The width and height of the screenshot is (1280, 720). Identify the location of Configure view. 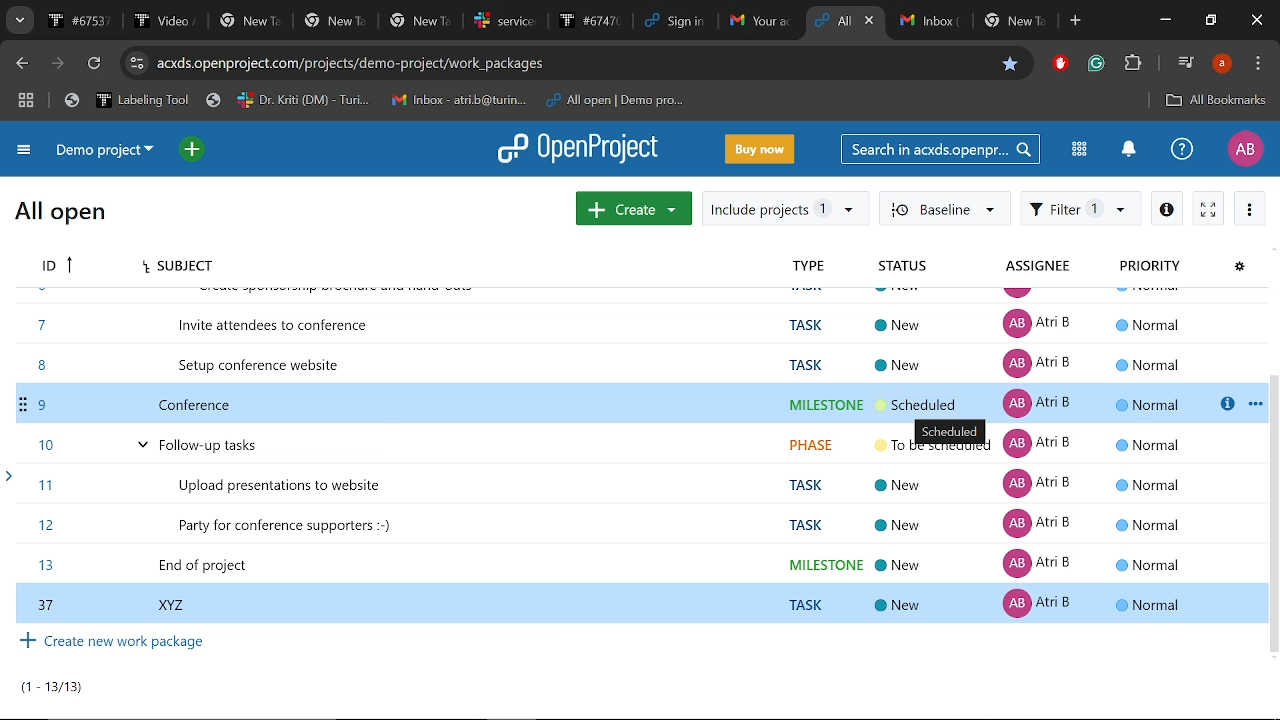
(1241, 265).